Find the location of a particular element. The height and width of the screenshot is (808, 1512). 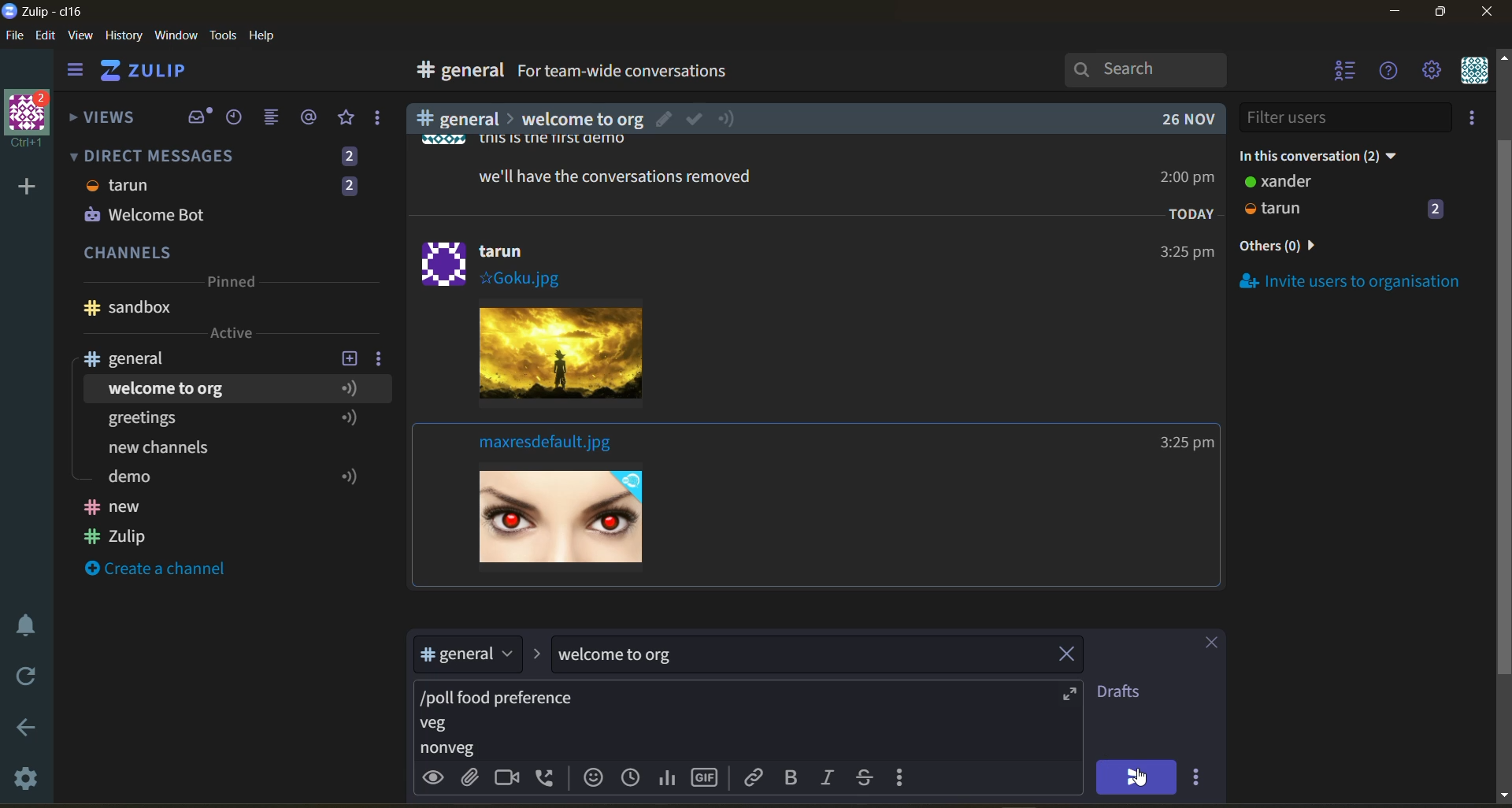

topics is located at coordinates (228, 436).